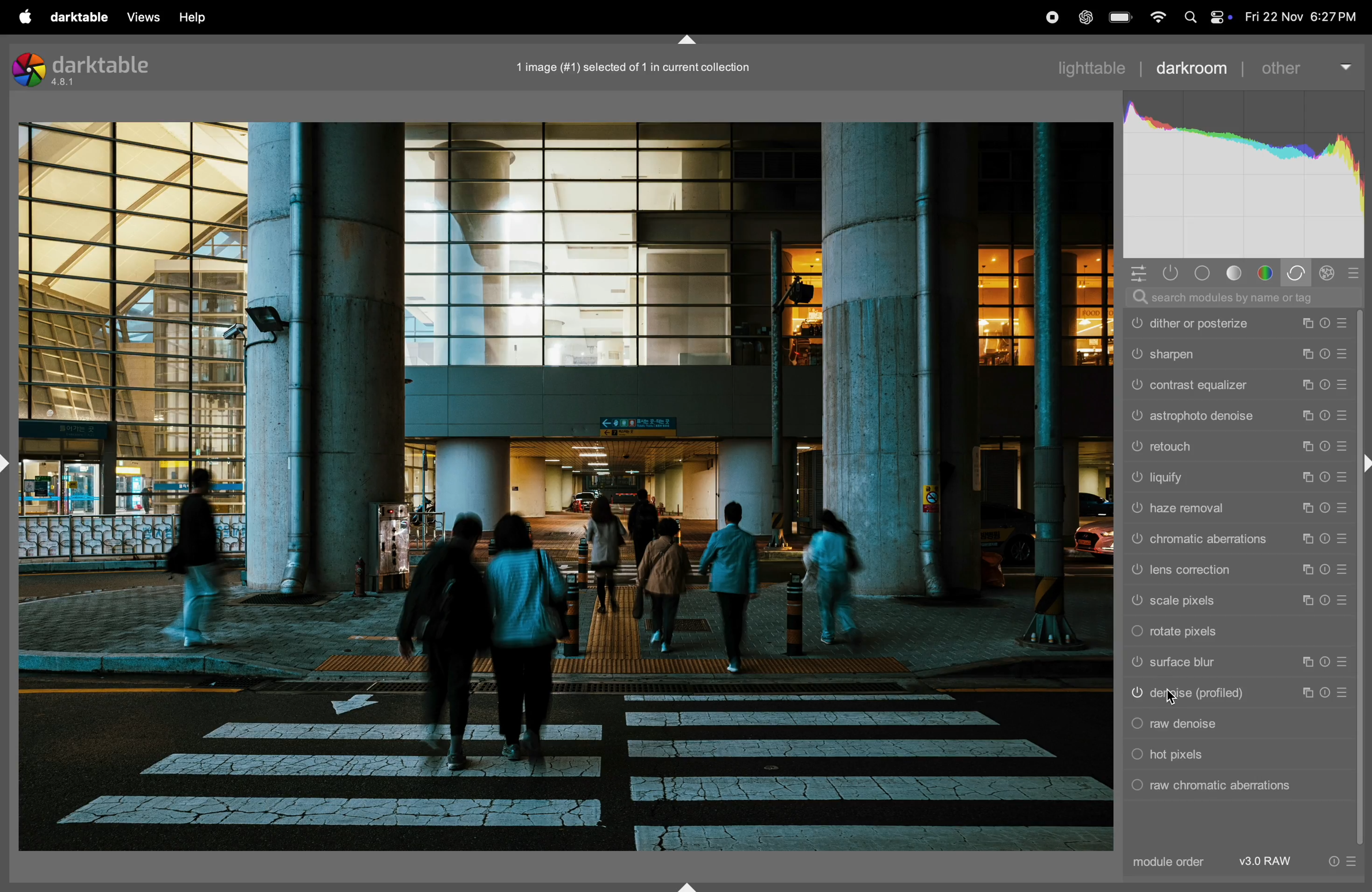 The width and height of the screenshot is (1372, 892). What do you see at coordinates (1243, 175) in the screenshot?
I see `histogram` at bounding box center [1243, 175].